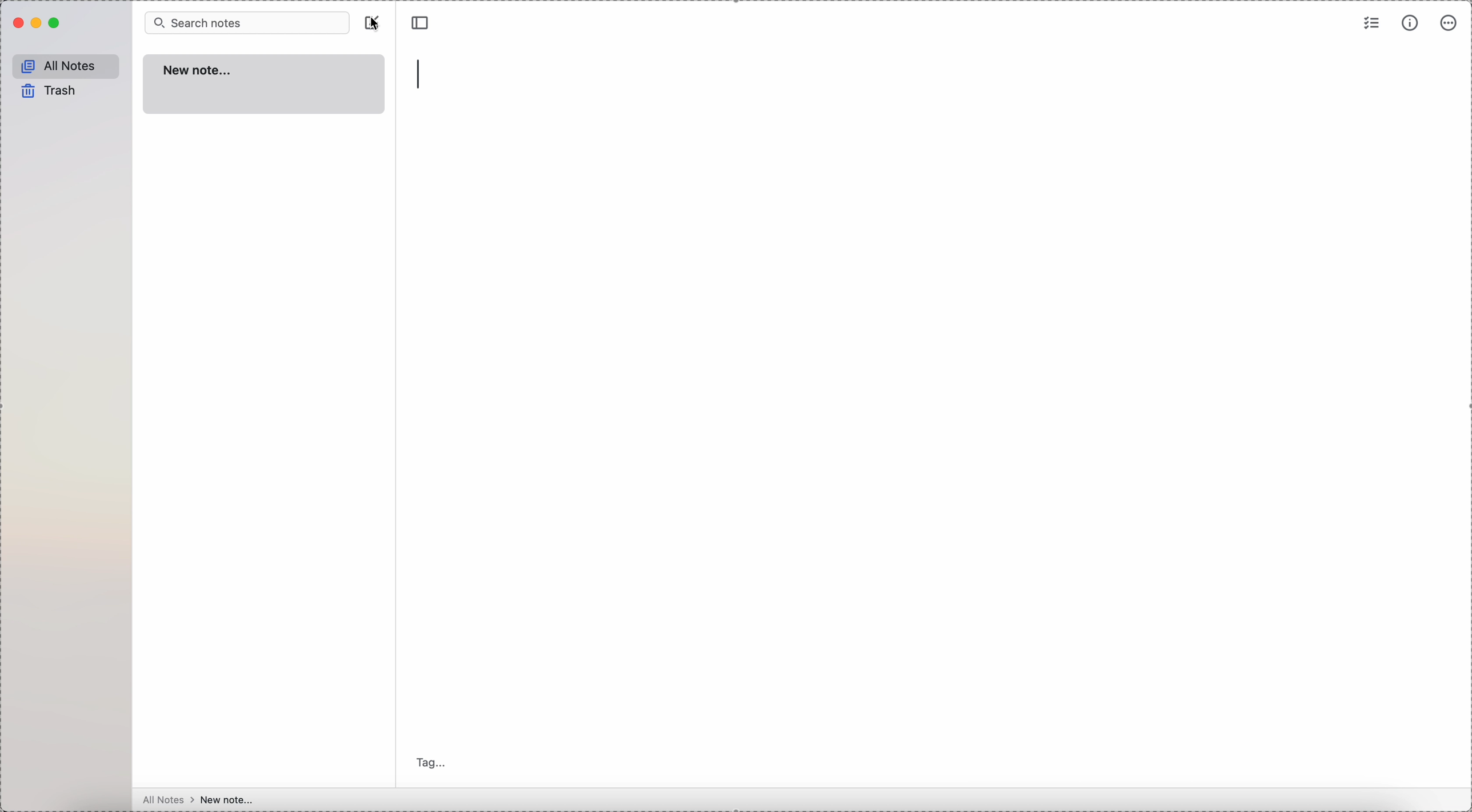  What do you see at coordinates (17, 23) in the screenshot?
I see `close Simplenote` at bounding box center [17, 23].